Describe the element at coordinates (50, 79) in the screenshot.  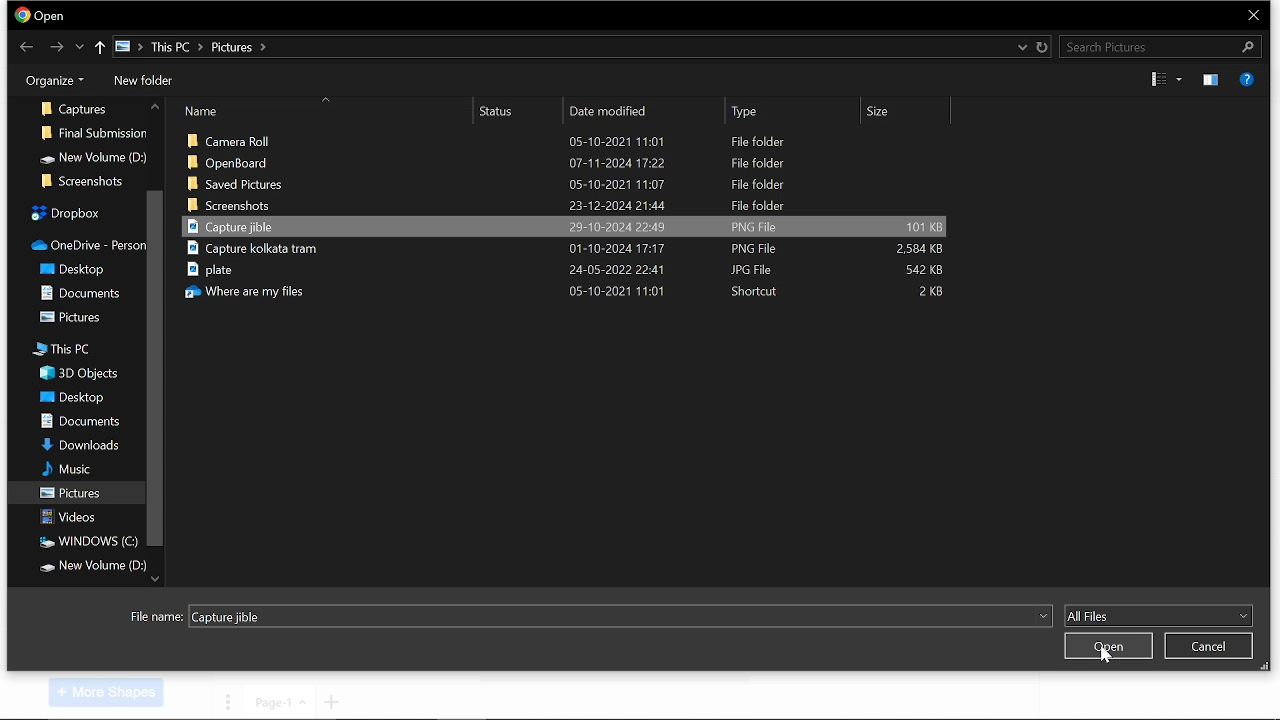
I see `organize` at that location.